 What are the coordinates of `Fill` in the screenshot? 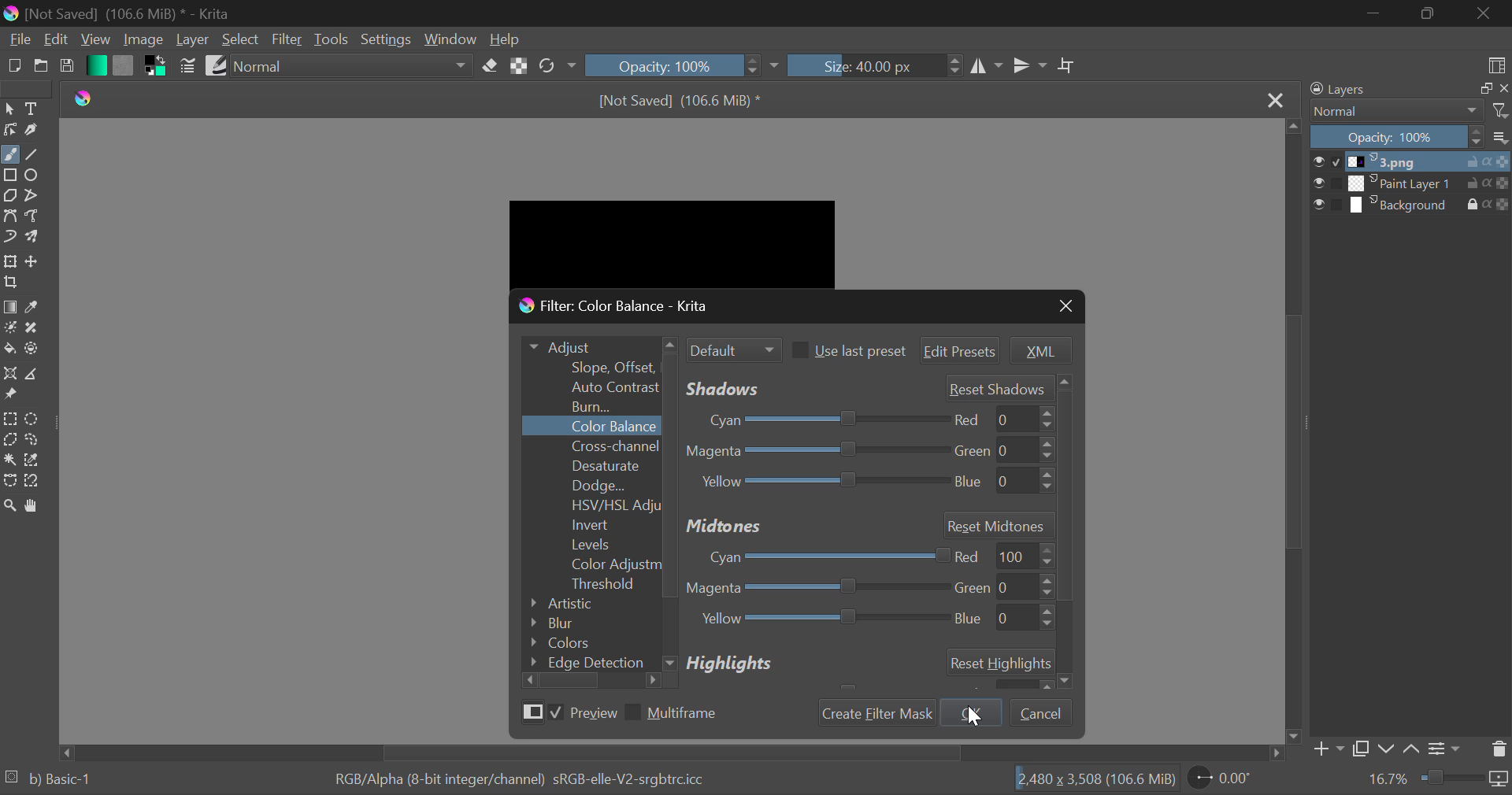 It's located at (9, 349).